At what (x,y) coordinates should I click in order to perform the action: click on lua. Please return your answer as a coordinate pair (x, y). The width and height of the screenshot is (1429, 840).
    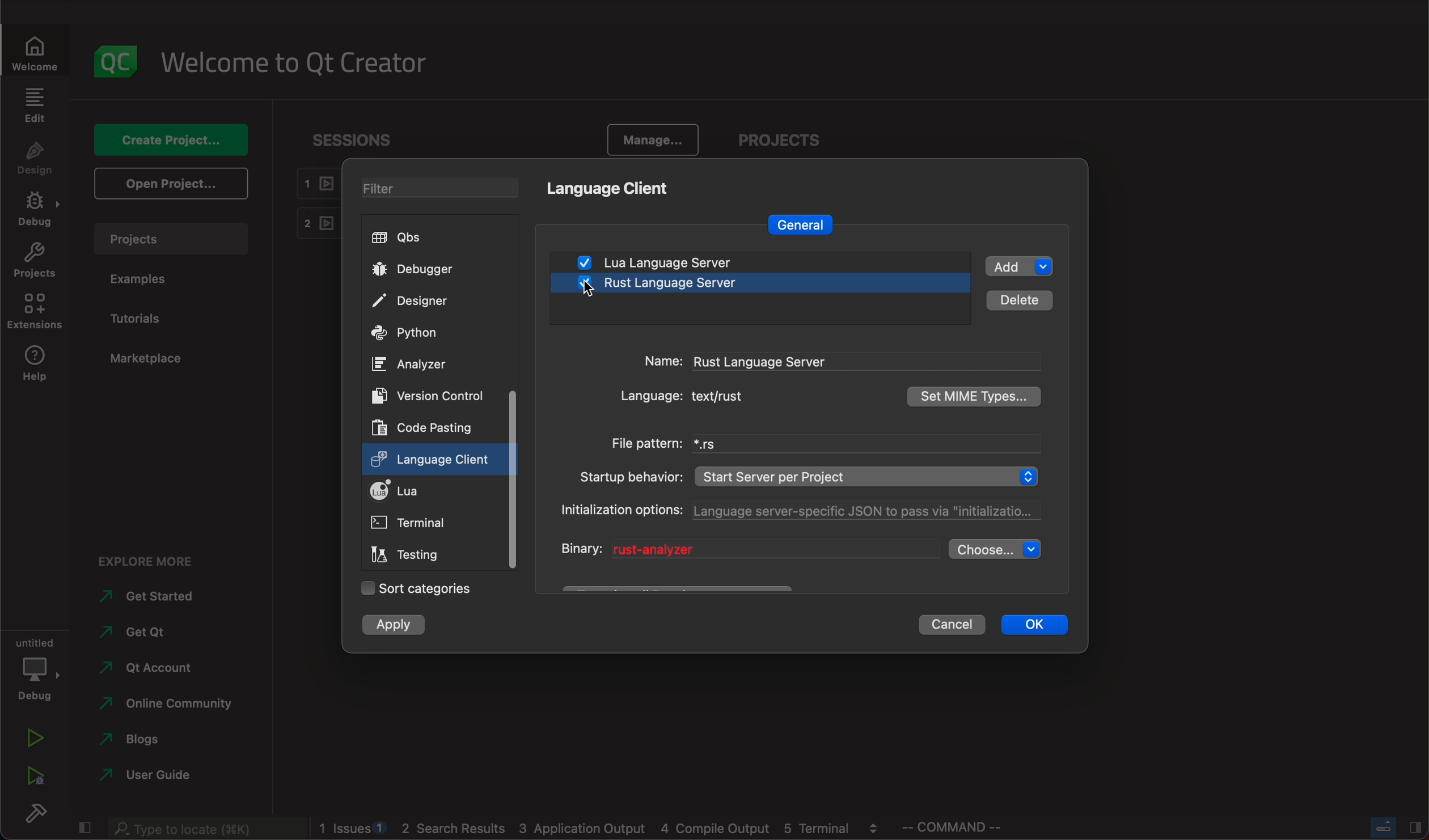
    Looking at the image, I should click on (407, 490).